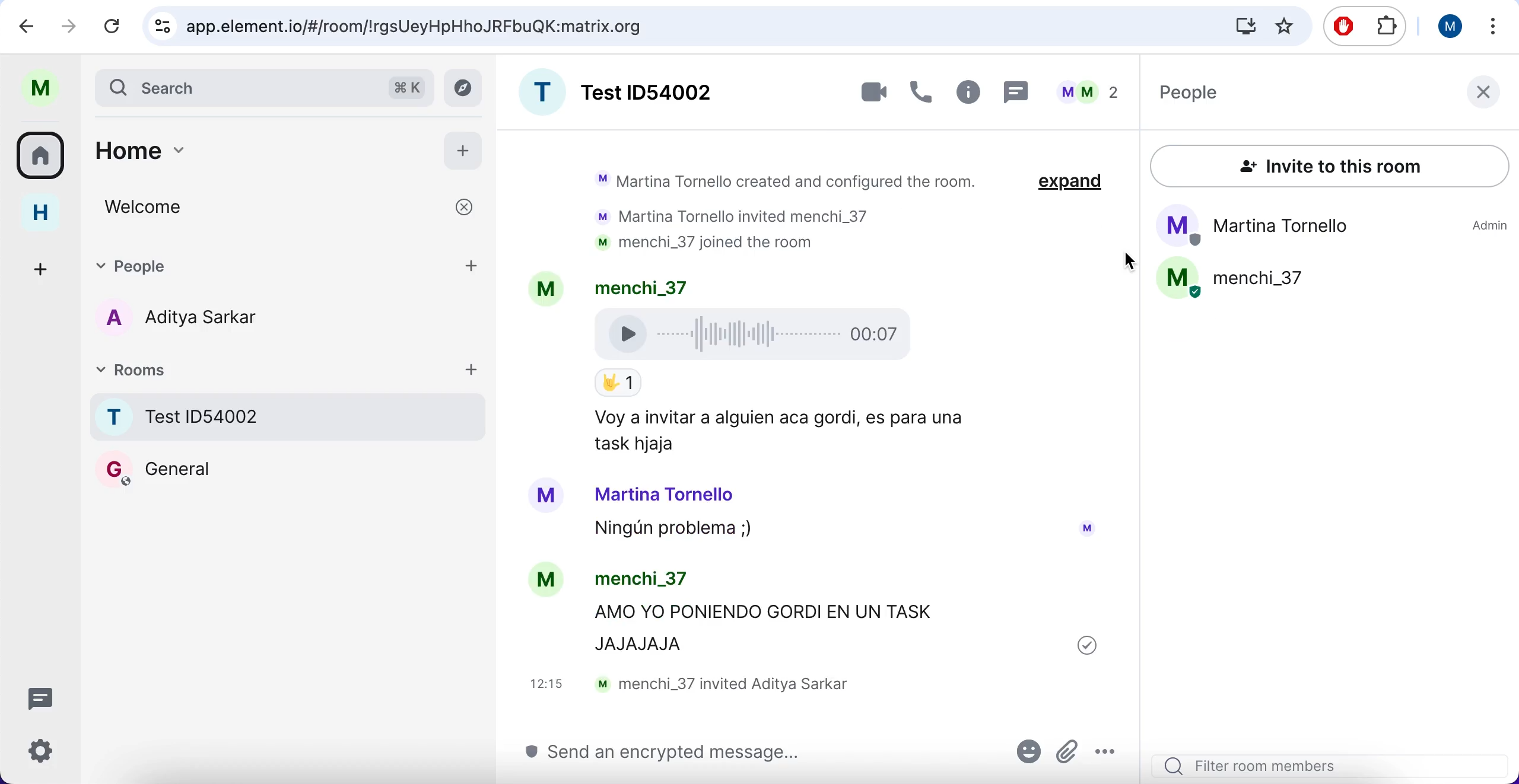 The width and height of the screenshot is (1519, 784). What do you see at coordinates (41, 213) in the screenshot?
I see `home` at bounding box center [41, 213].